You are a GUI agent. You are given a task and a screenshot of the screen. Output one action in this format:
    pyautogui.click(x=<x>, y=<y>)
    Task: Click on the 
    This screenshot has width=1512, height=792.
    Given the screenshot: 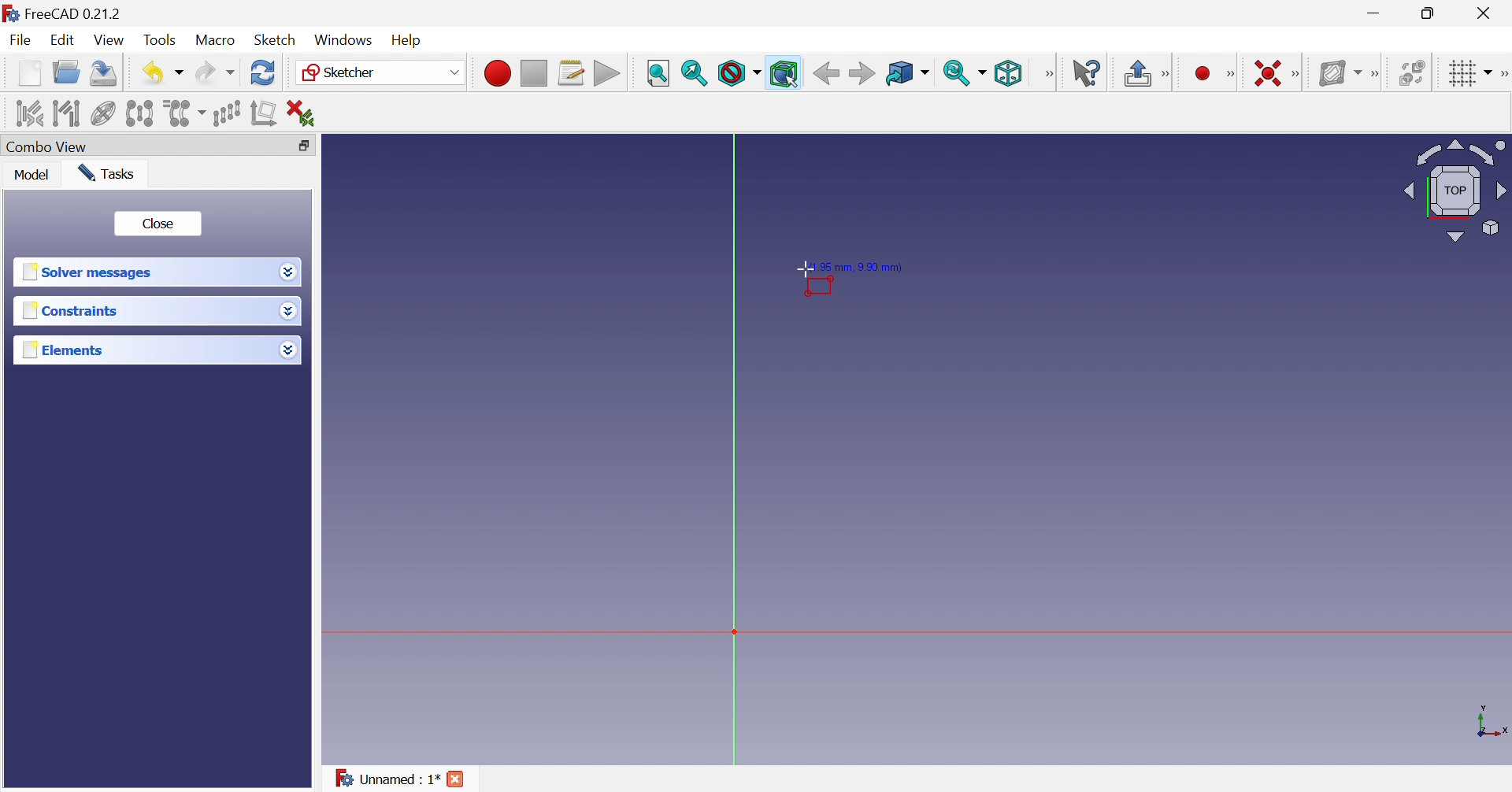 What is the action you would take?
    pyautogui.click(x=406, y=41)
    